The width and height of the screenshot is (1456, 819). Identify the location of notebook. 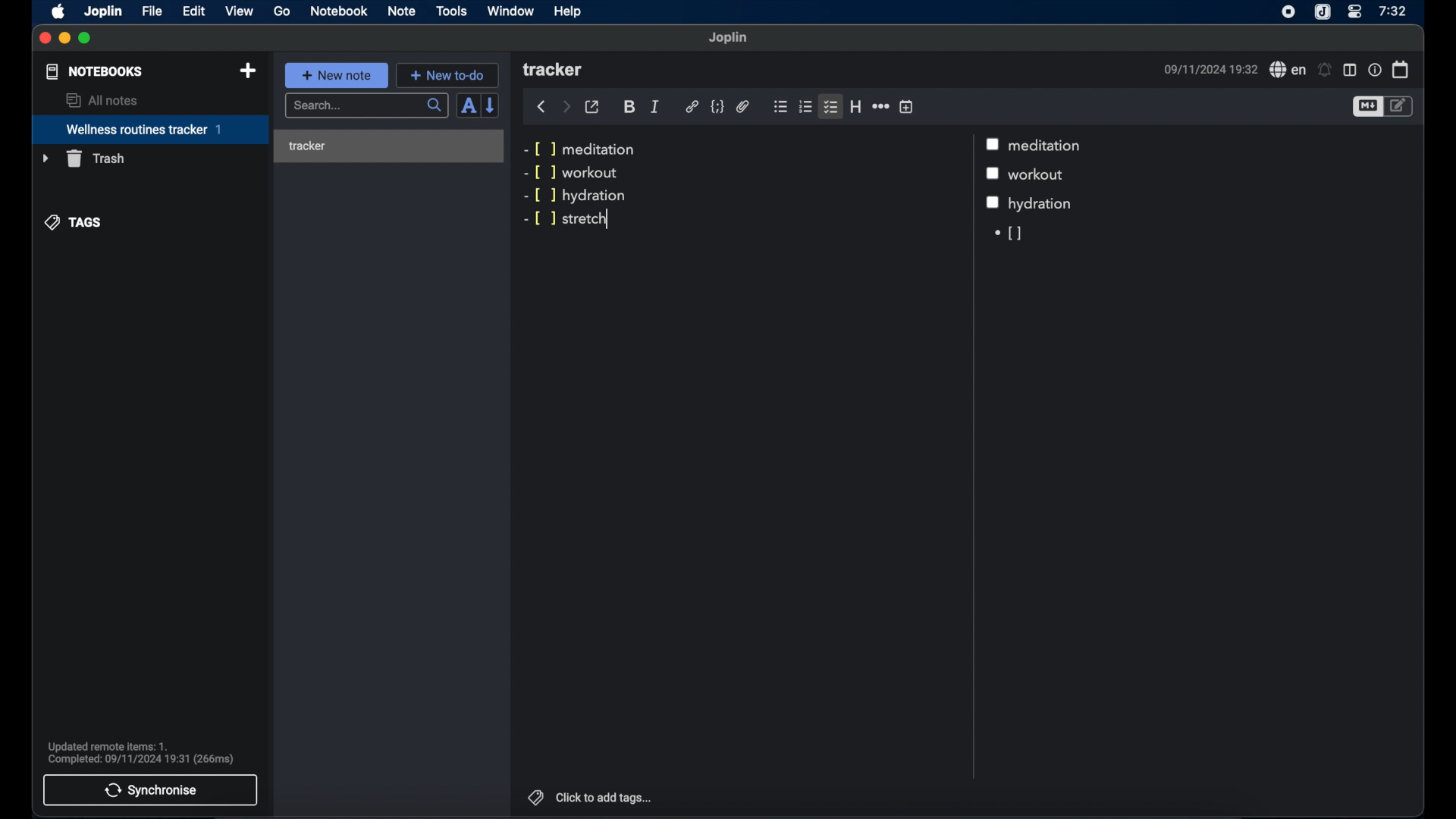
(339, 11).